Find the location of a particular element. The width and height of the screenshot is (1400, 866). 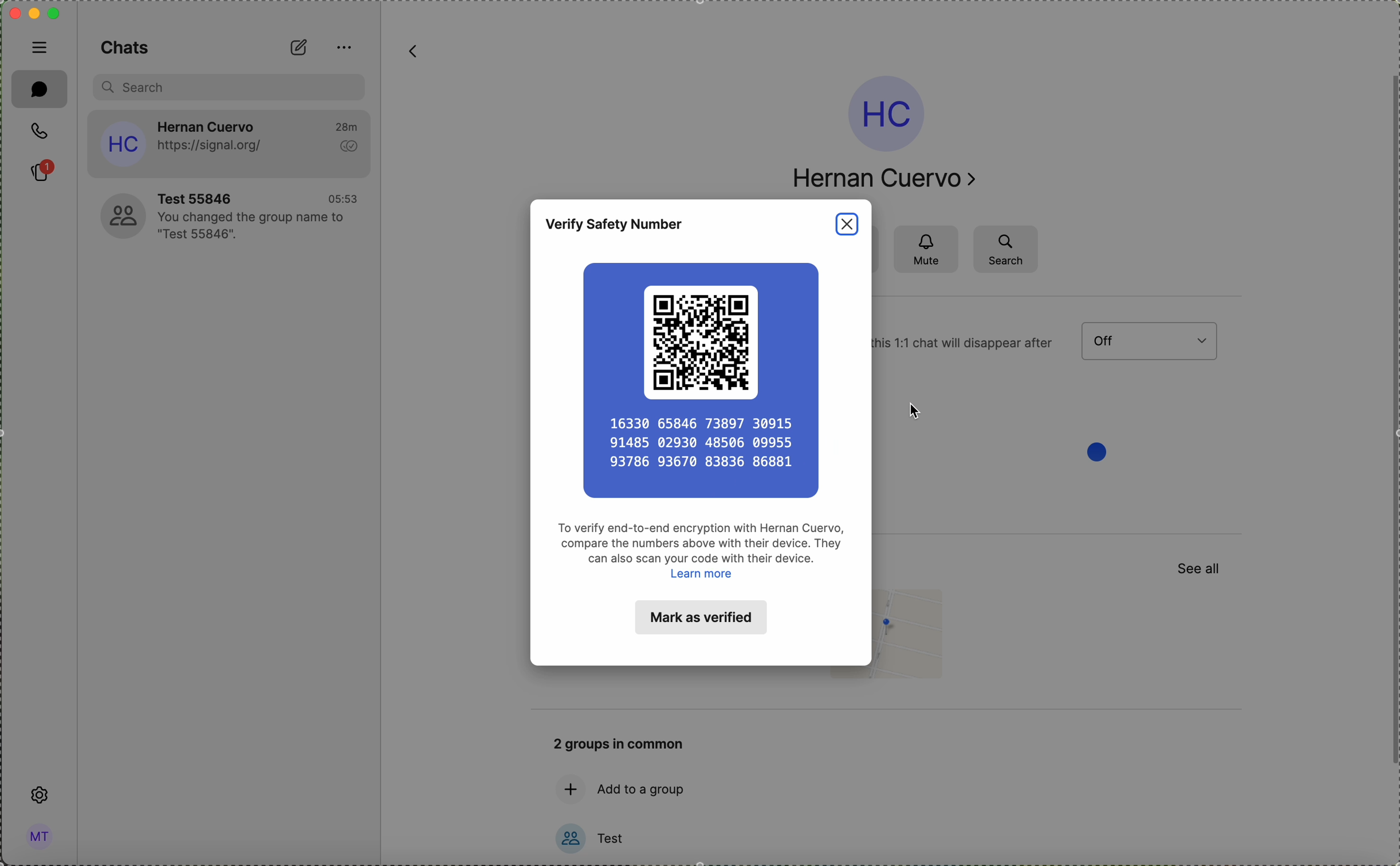

See all is located at coordinates (1204, 569).